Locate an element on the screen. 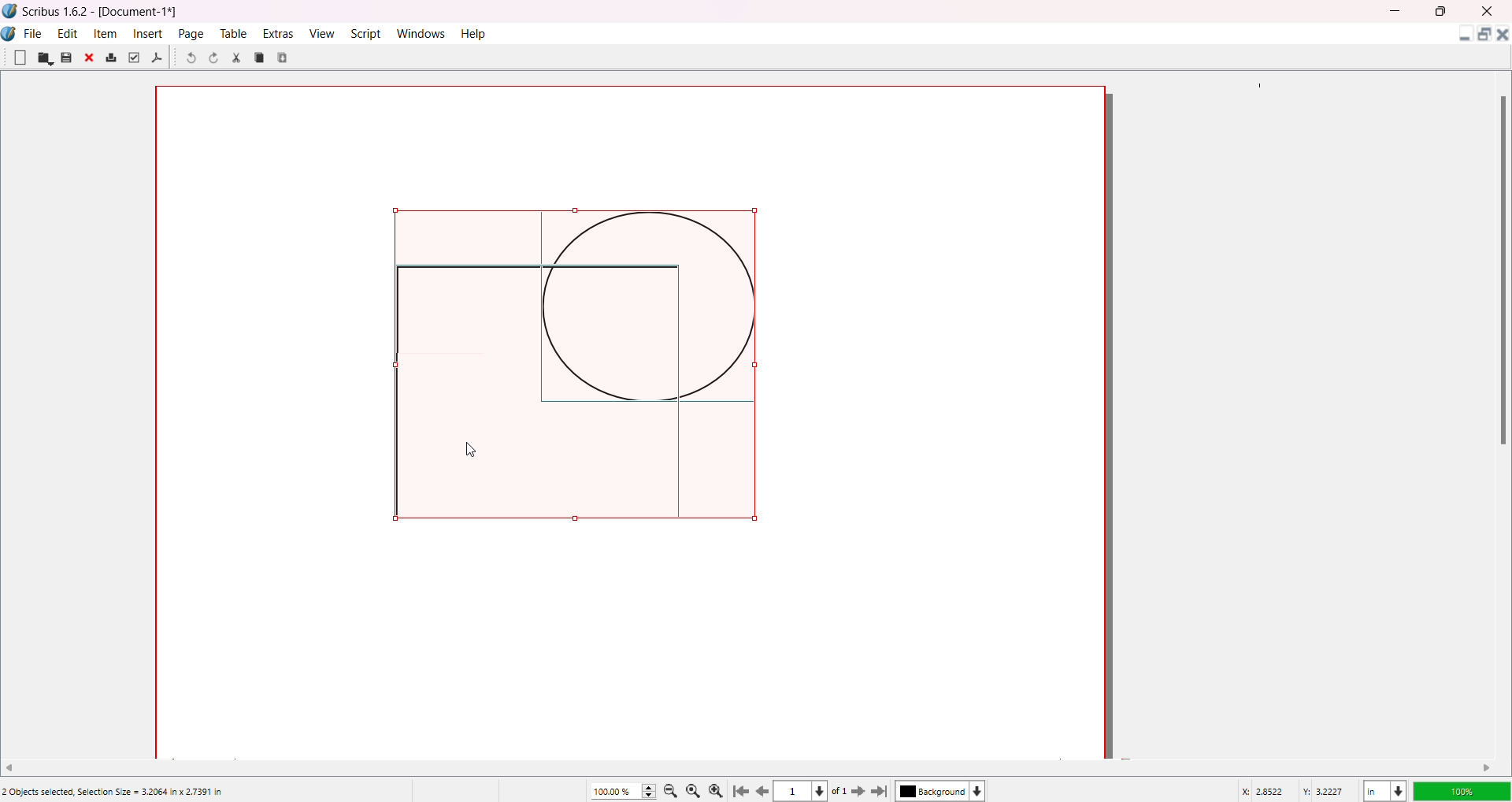 The image size is (1512, 802). Paste is located at coordinates (284, 57).